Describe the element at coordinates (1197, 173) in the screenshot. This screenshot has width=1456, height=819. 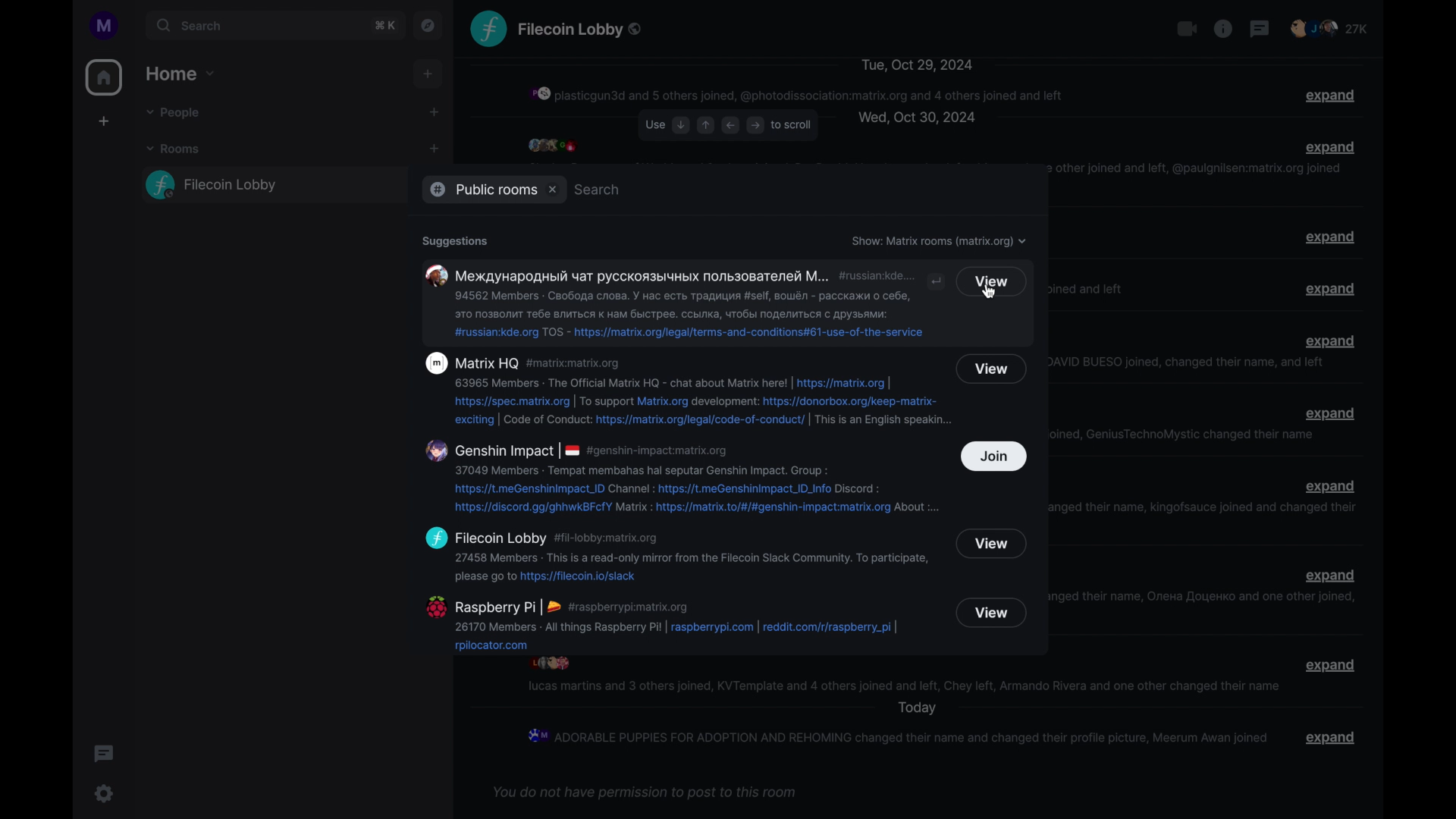
I see `Sloshy, Destroyer of Worlds and 2 others joined, BenDoubleU and one other left, ebicer and one other joined and left, @paulgnilsen:matrix.org joined
and joined and left, Andrew changed their name` at that location.